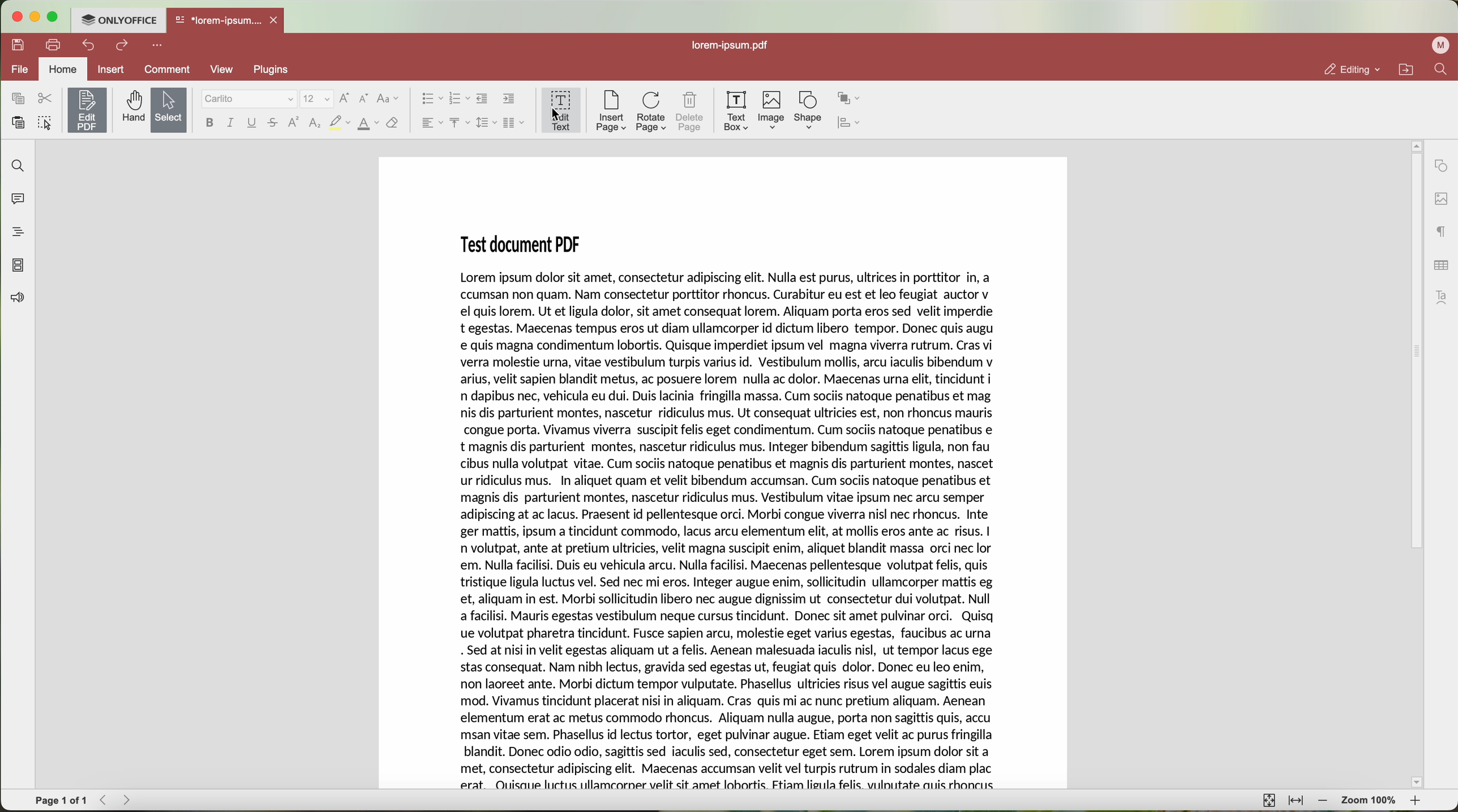 Image resolution: width=1458 pixels, height=812 pixels. I want to click on arrange shape, so click(848, 97).